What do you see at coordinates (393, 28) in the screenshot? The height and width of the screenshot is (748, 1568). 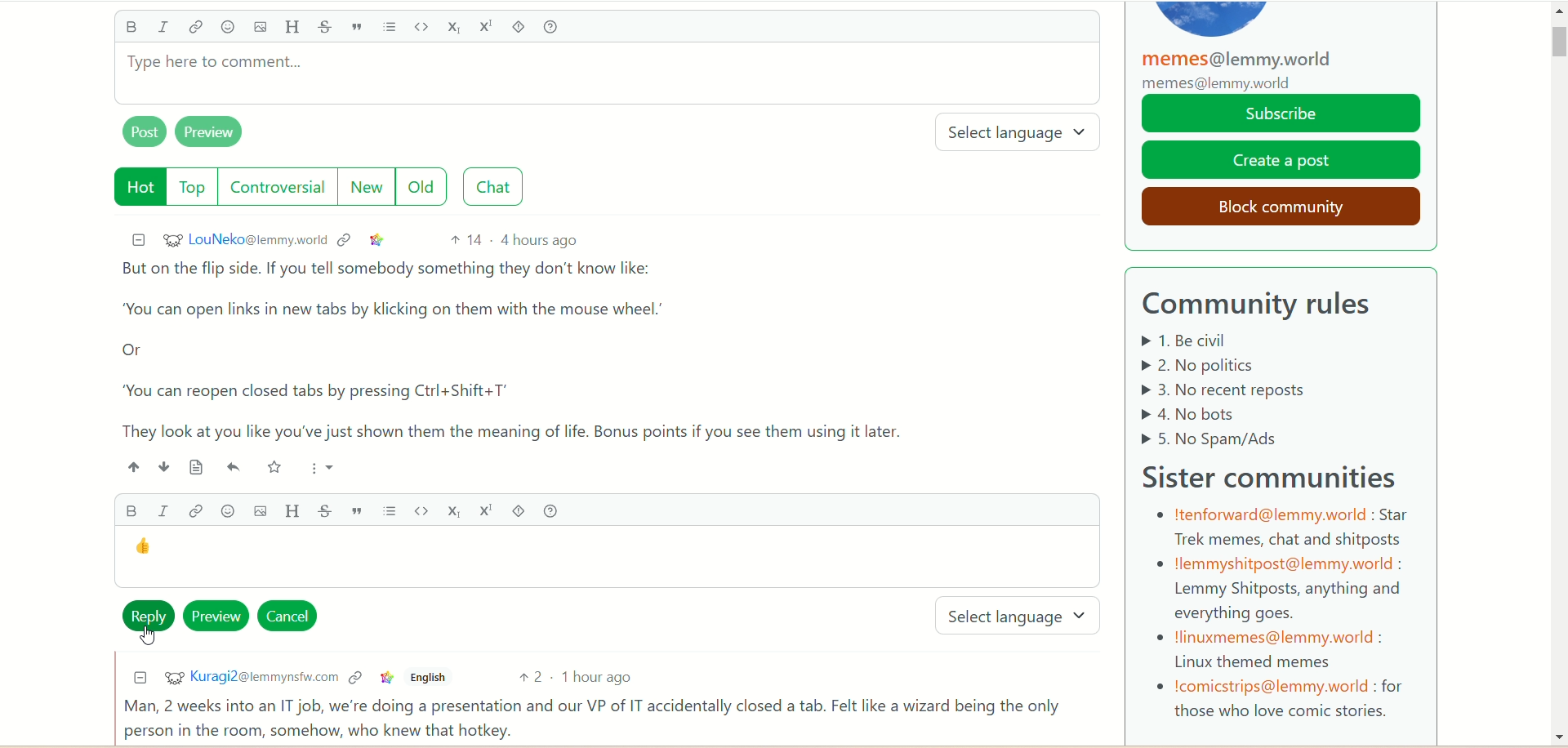 I see `list` at bounding box center [393, 28].